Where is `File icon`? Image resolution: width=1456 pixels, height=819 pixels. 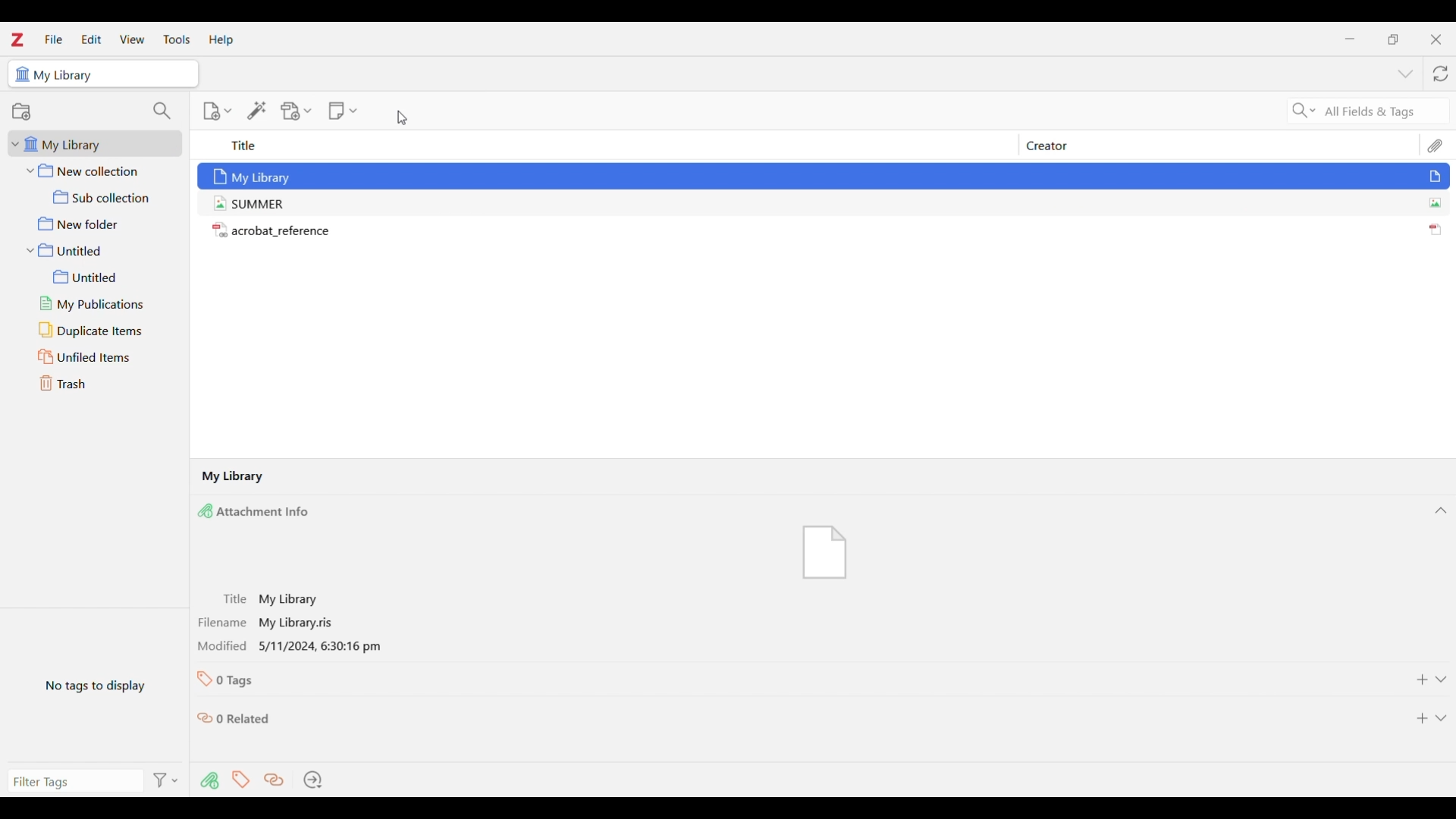
File icon is located at coordinates (819, 547).